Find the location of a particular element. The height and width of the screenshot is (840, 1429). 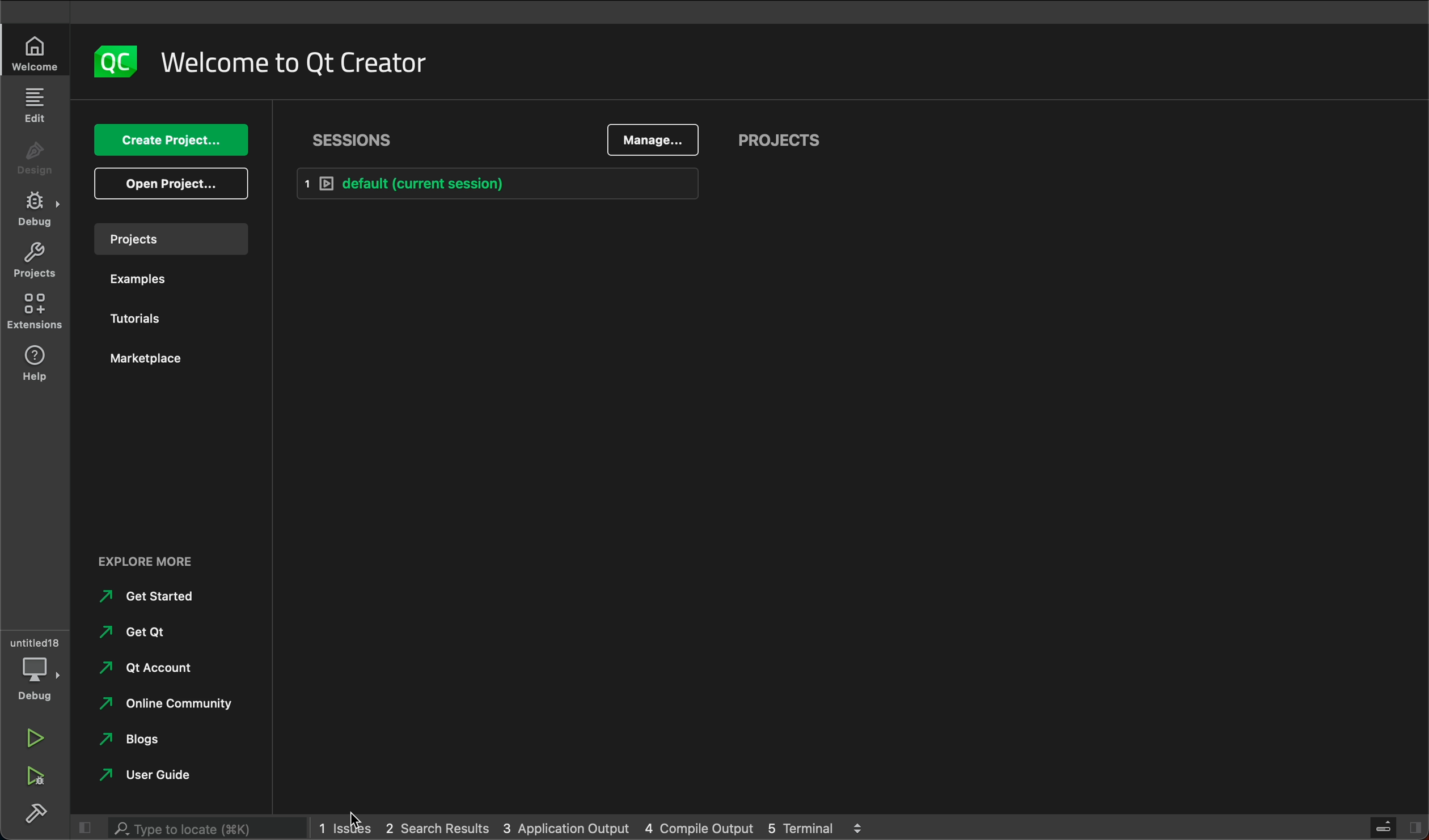

design is located at coordinates (37, 159).